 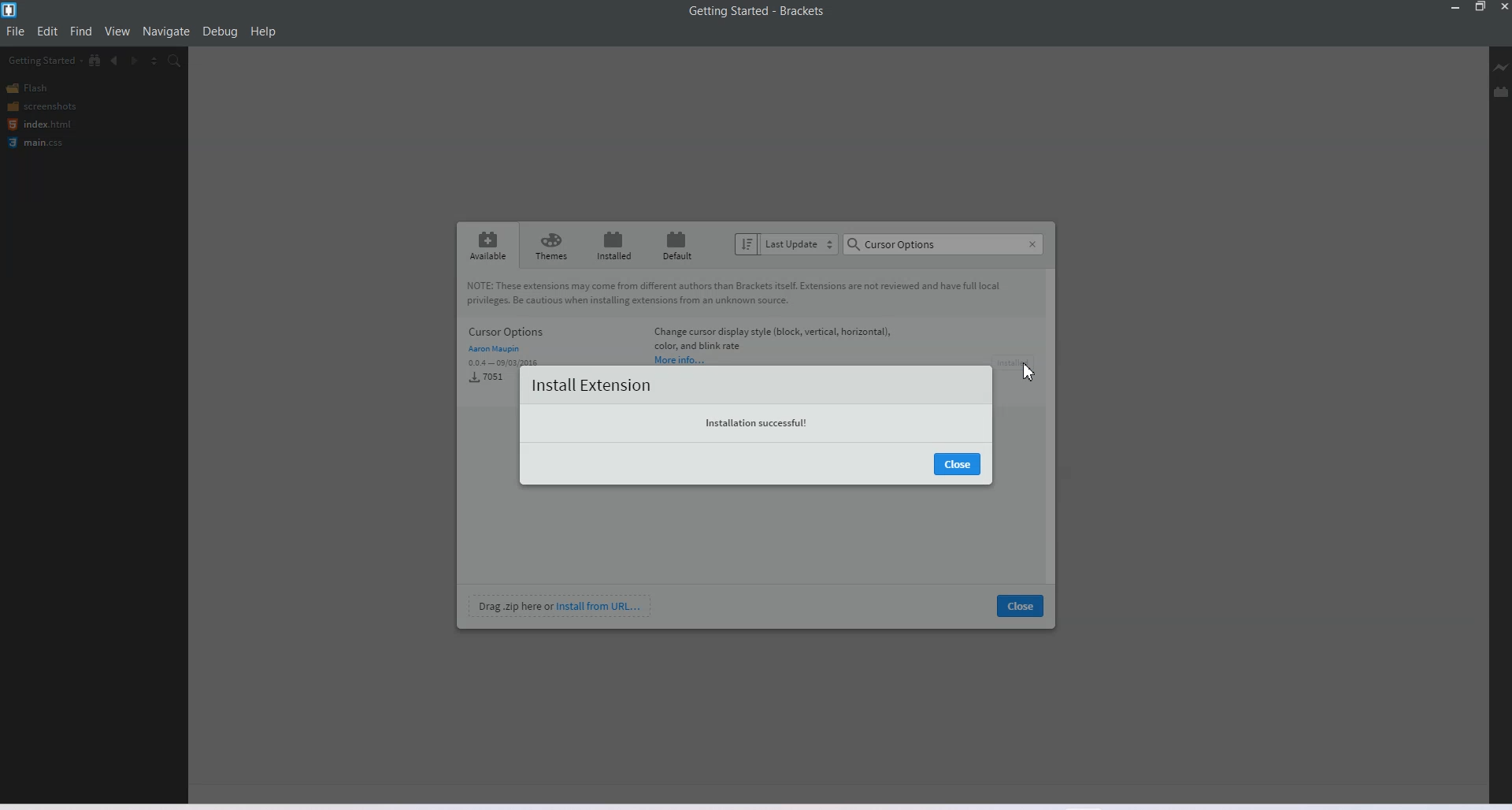 What do you see at coordinates (135, 61) in the screenshot?
I see `Navigate Forwards` at bounding box center [135, 61].